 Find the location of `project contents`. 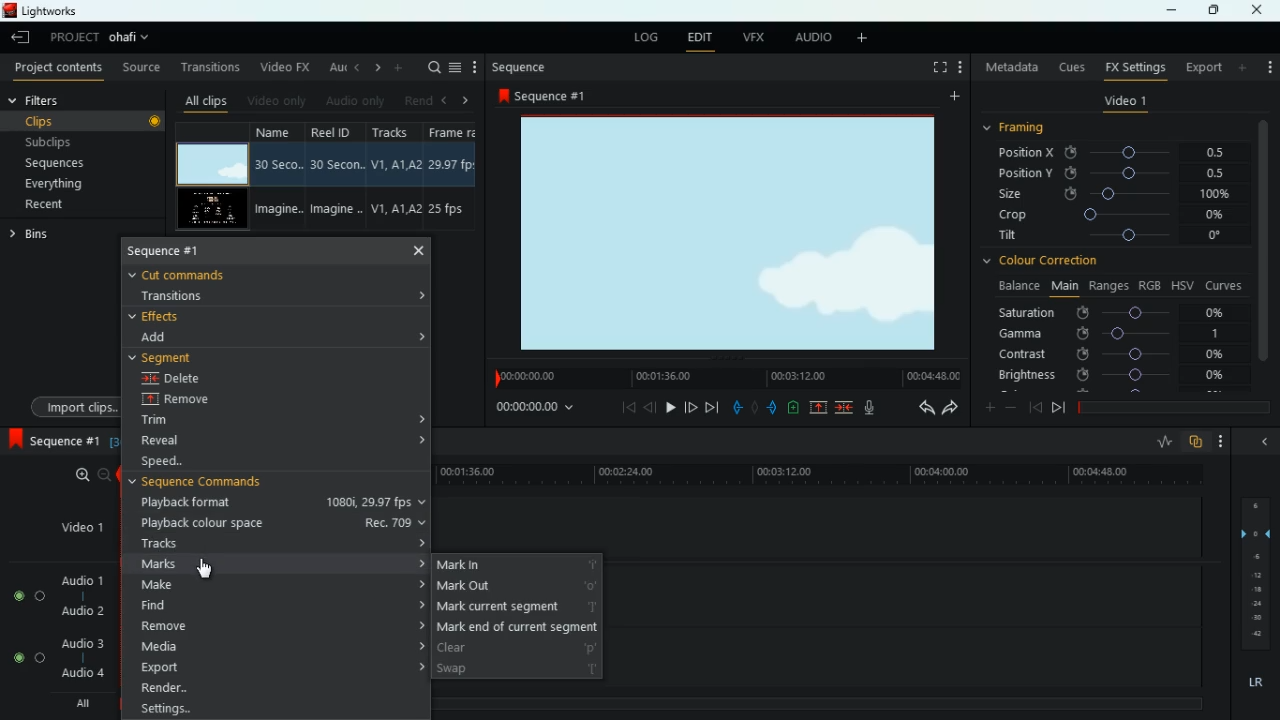

project contents is located at coordinates (55, 68).